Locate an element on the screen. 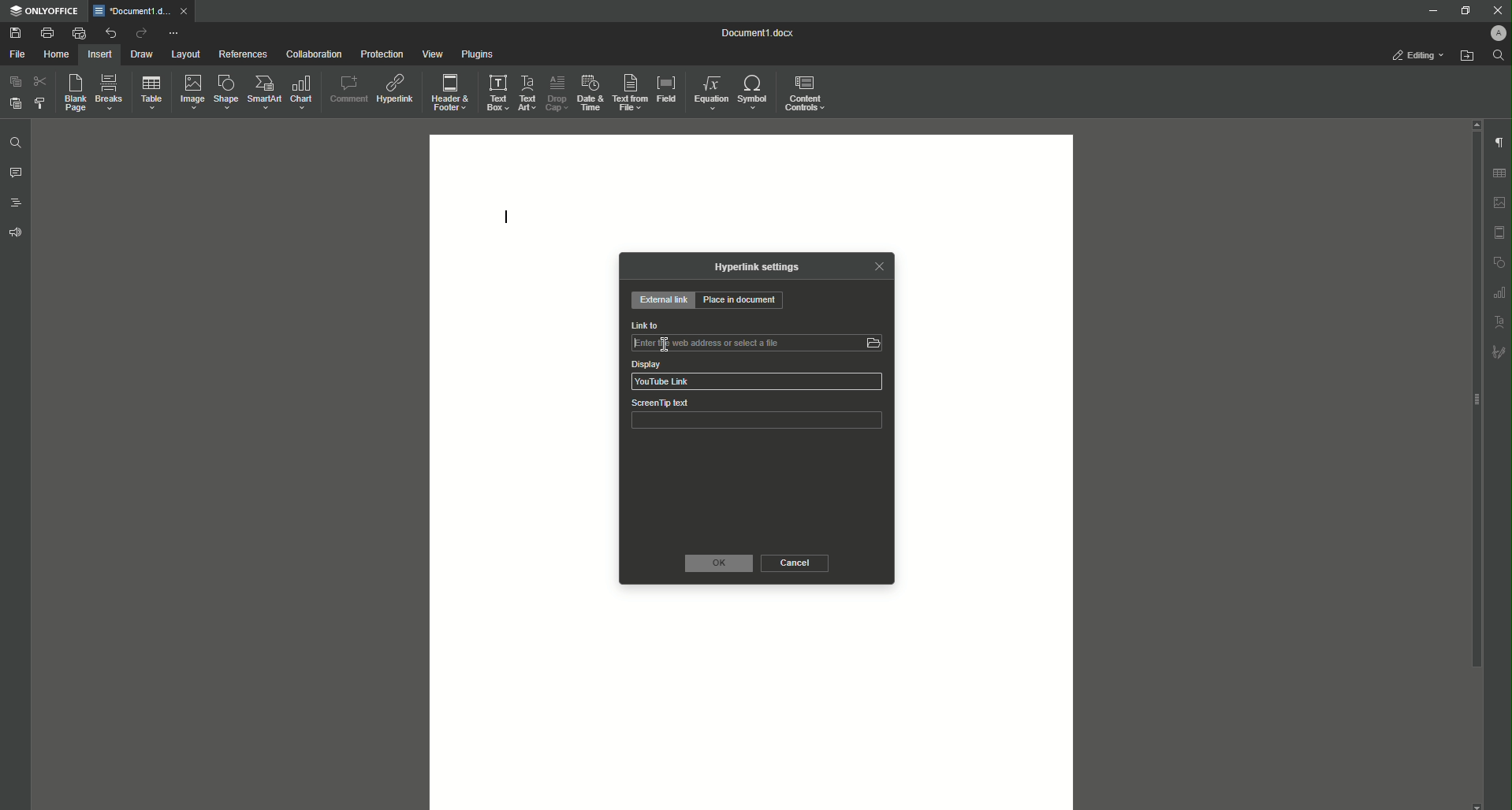 The height and width of the screenshot is (810, 1512). Comment is located at coordinates (346, 91).